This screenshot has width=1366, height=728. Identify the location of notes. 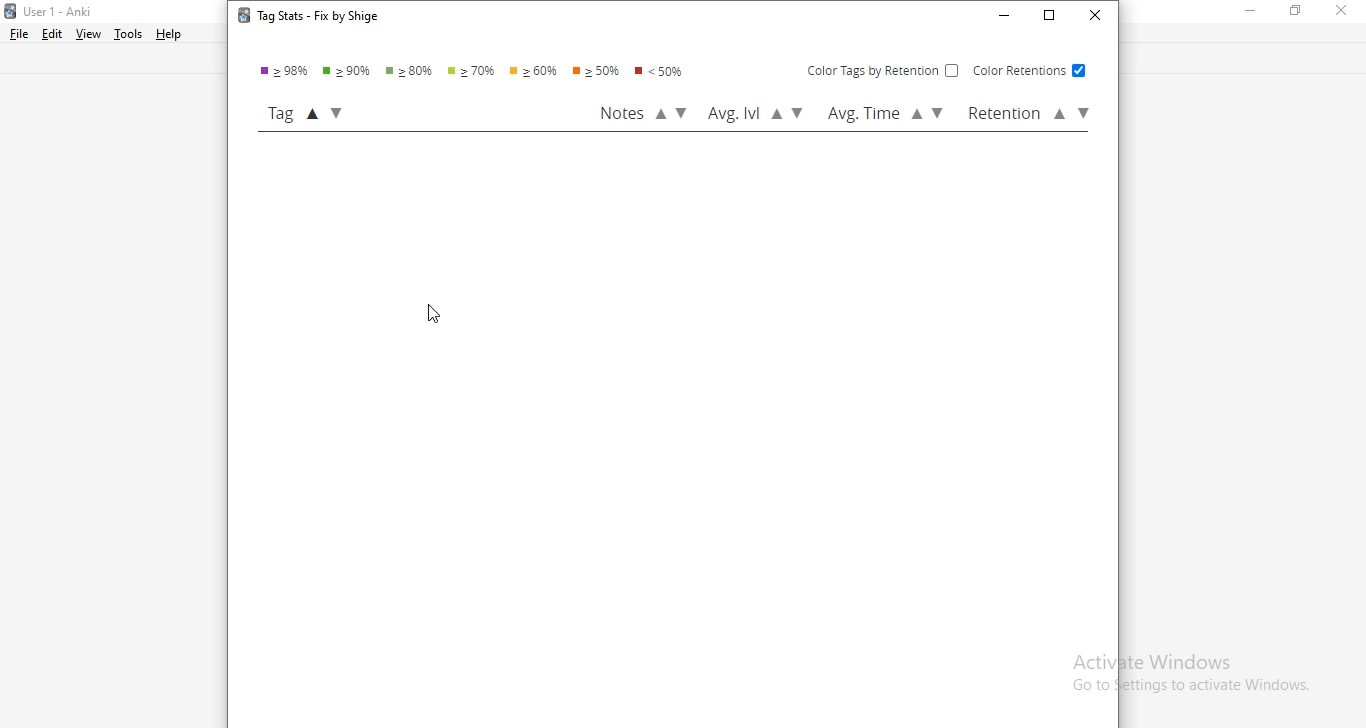
(644, 113).